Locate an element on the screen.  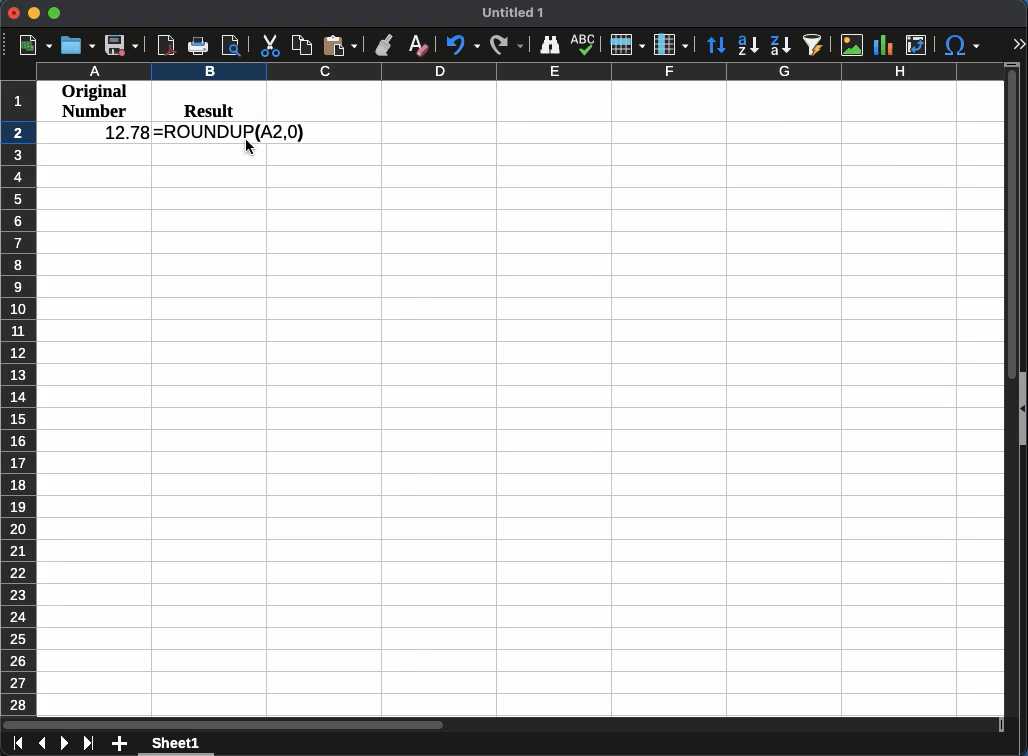
pivot table is located at coordinates (917, 44).